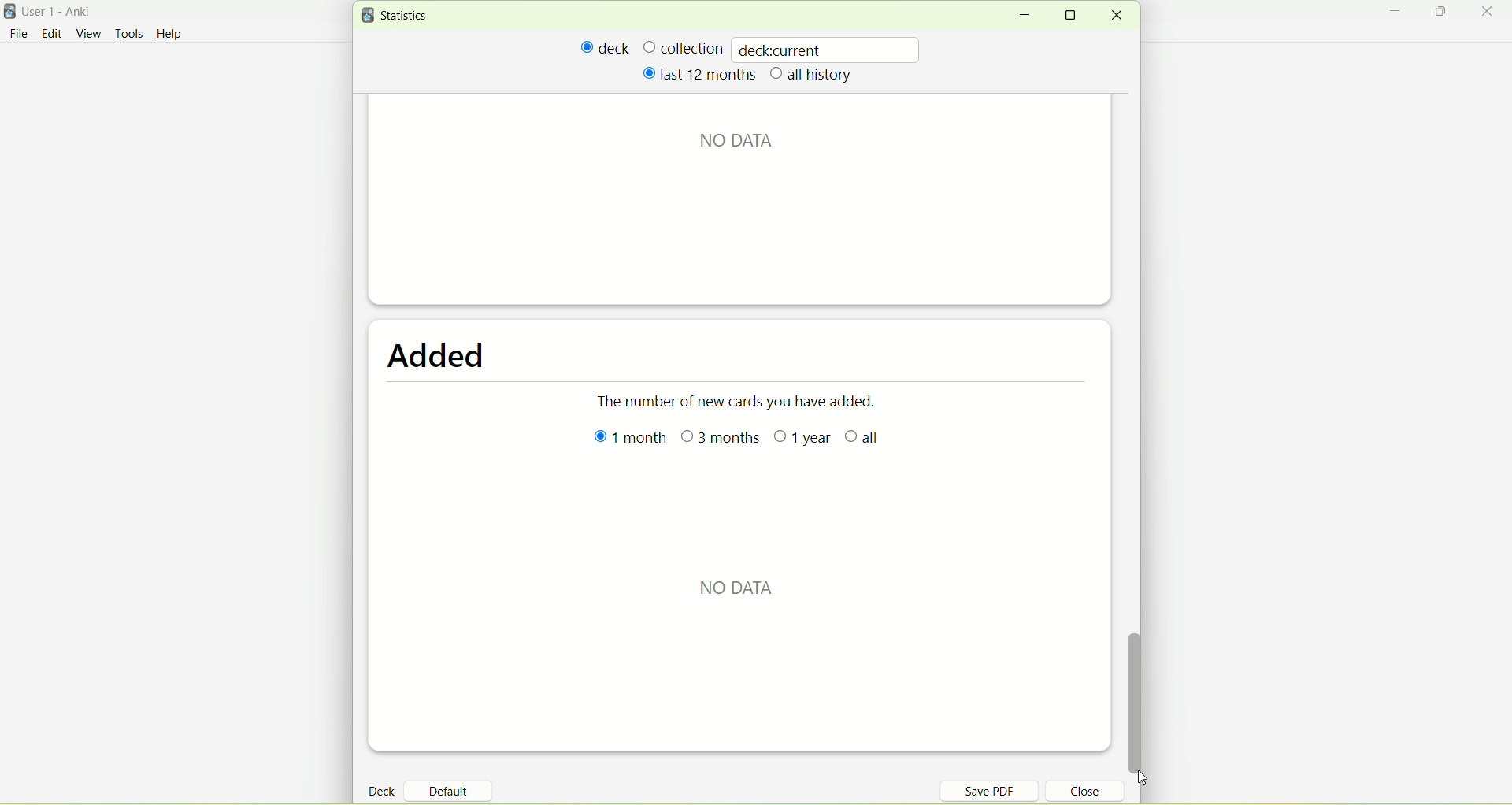  I want to click on all history, so click(812, 76).